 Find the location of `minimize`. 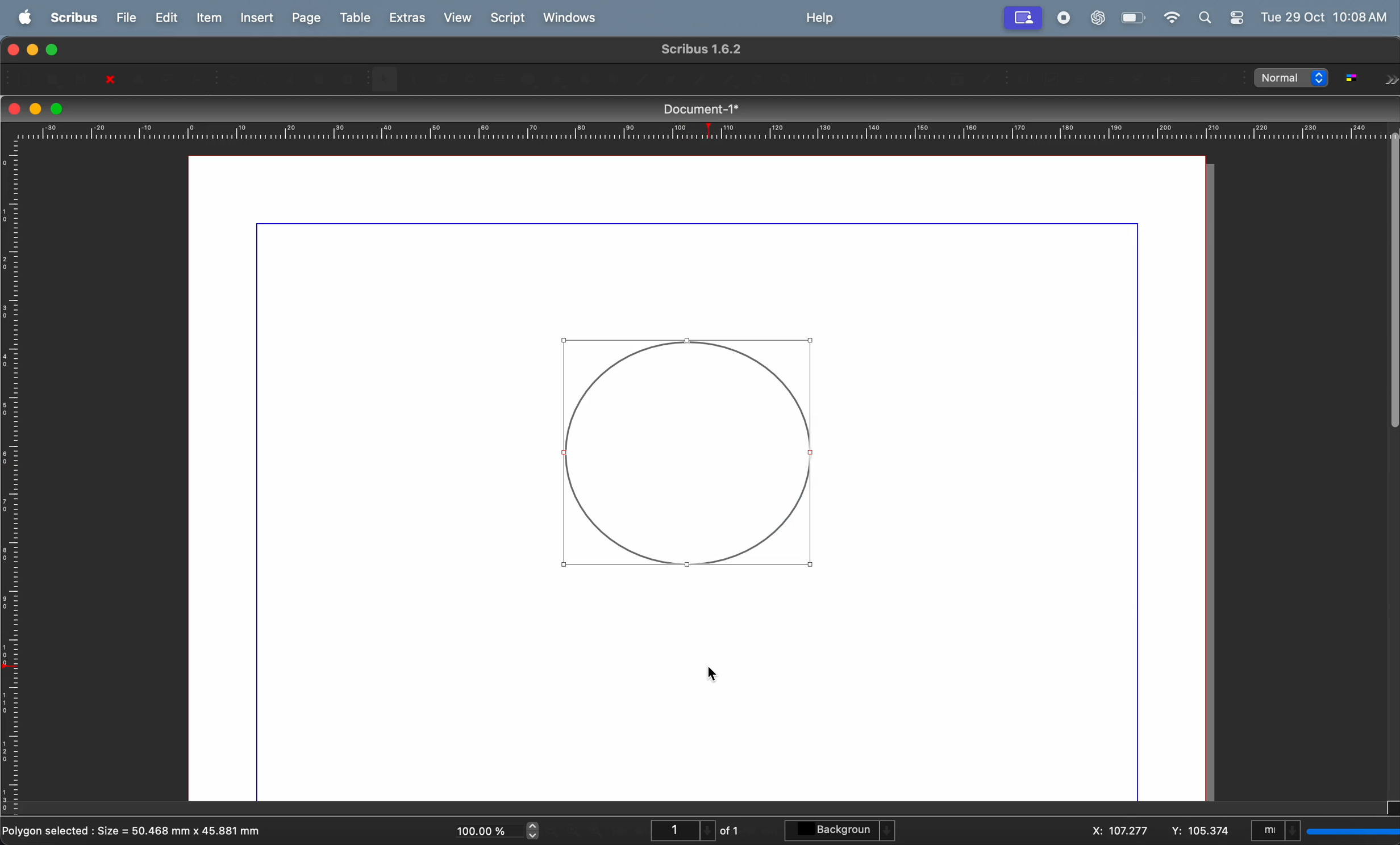

minimize is located at coordinates (31, 49).